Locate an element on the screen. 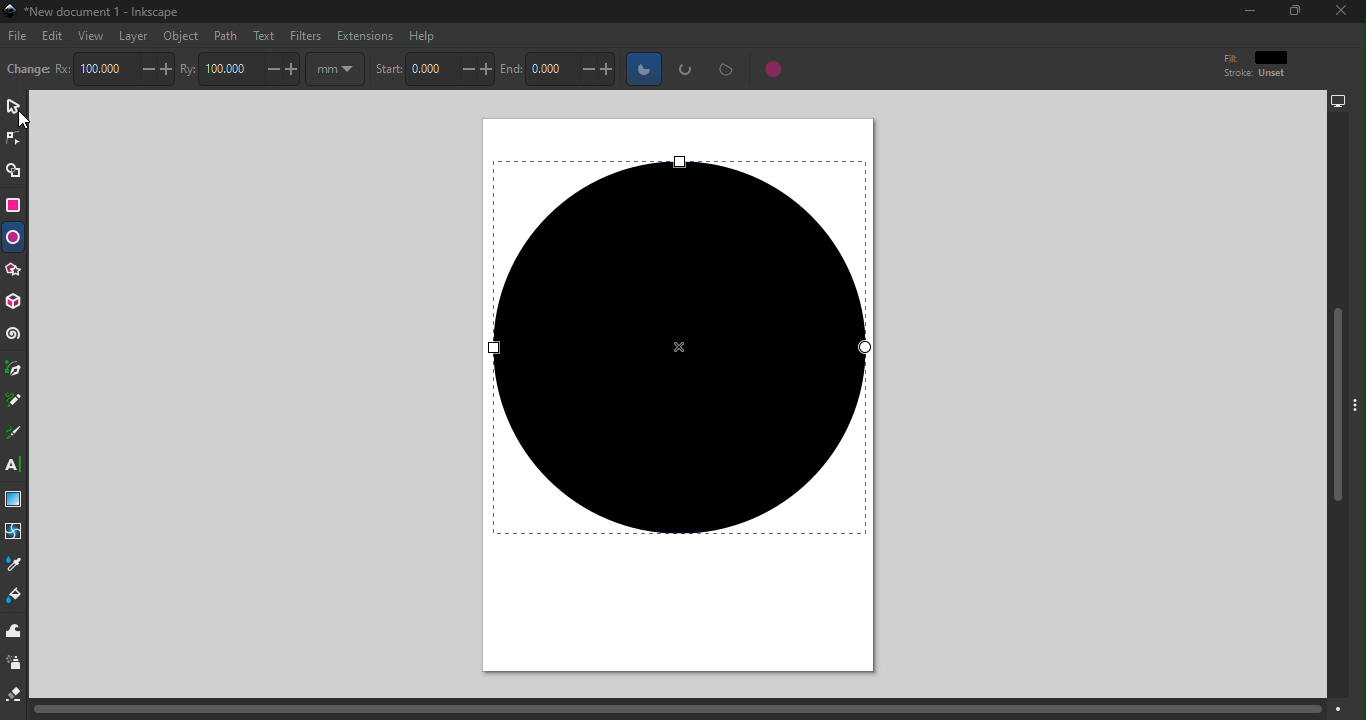 The image size is (1366, 720). Make the shape whole ellipse is located at coordinates (773, 71).